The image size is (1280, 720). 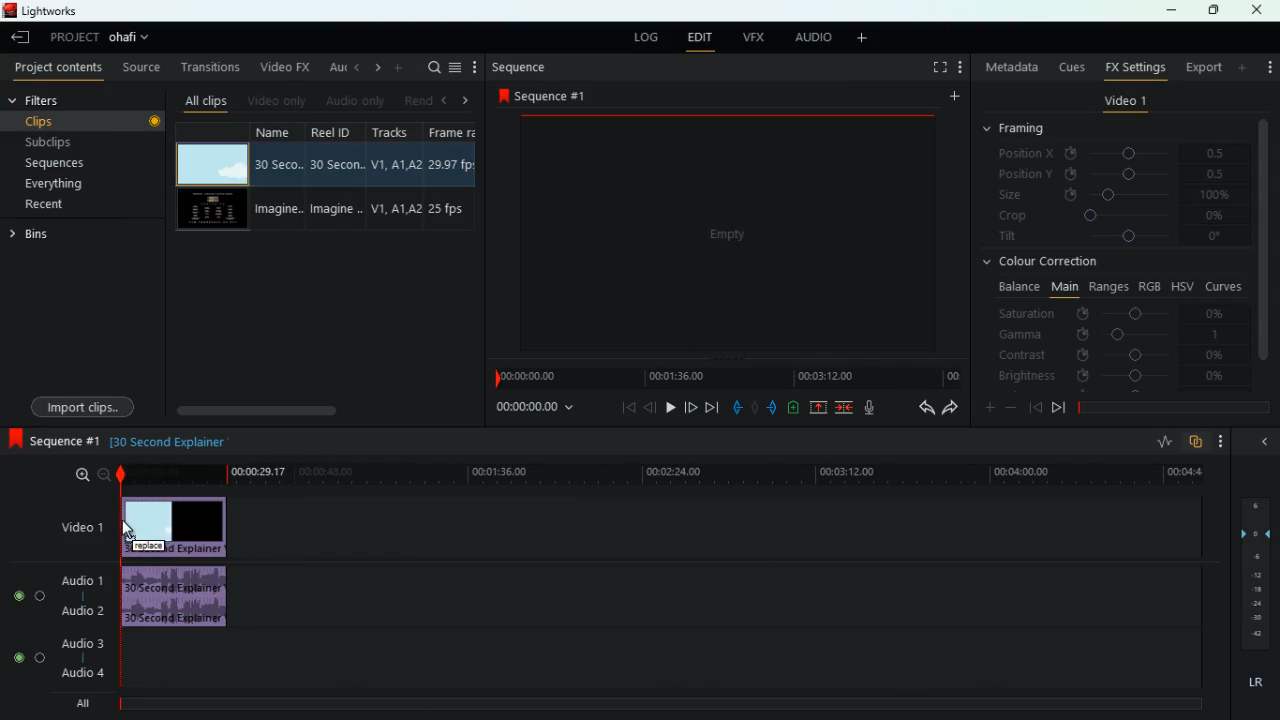 I want to click on position y, so click(x=1121, y=173).